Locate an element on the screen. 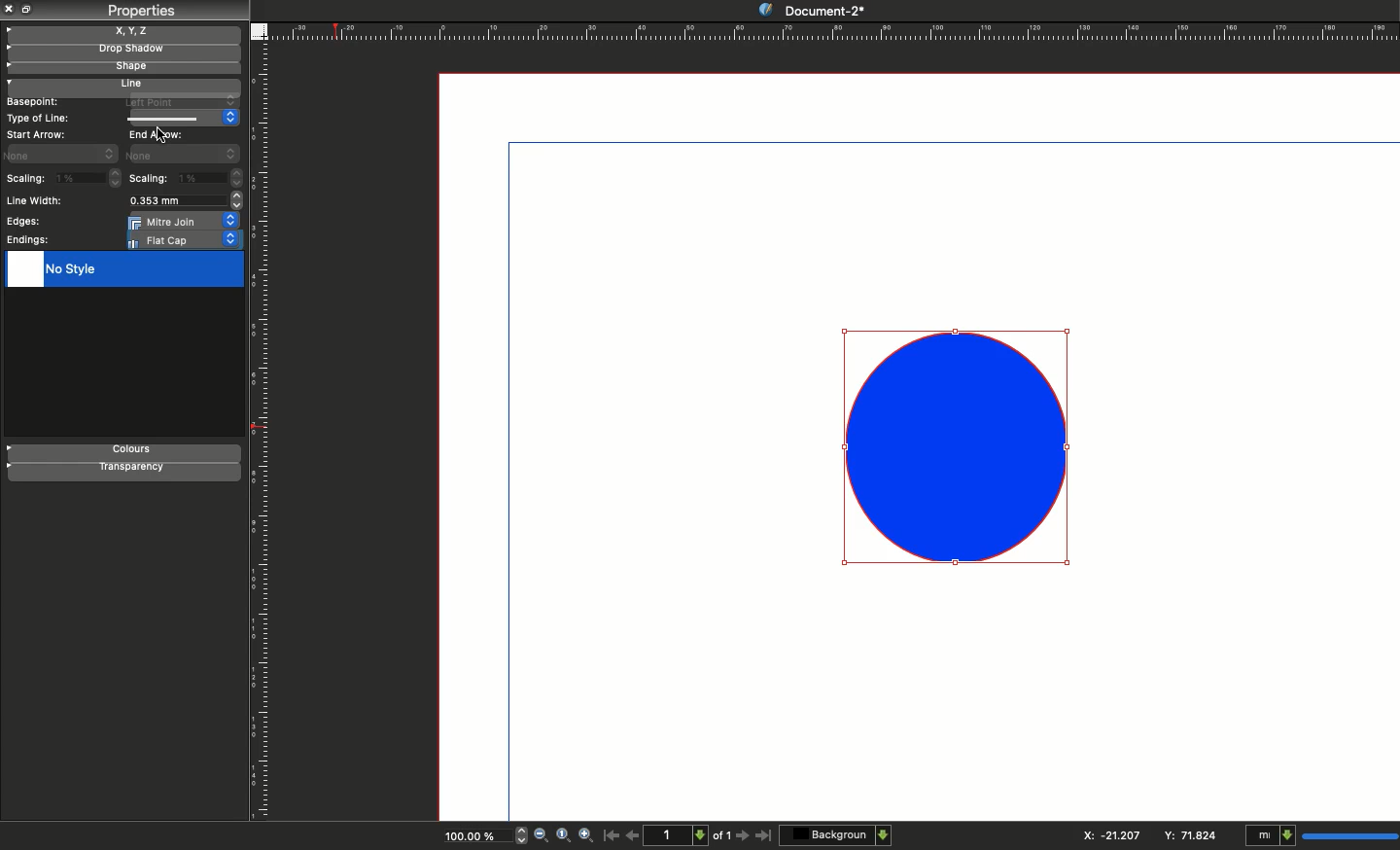  No style is located at coordinates (122, 270).